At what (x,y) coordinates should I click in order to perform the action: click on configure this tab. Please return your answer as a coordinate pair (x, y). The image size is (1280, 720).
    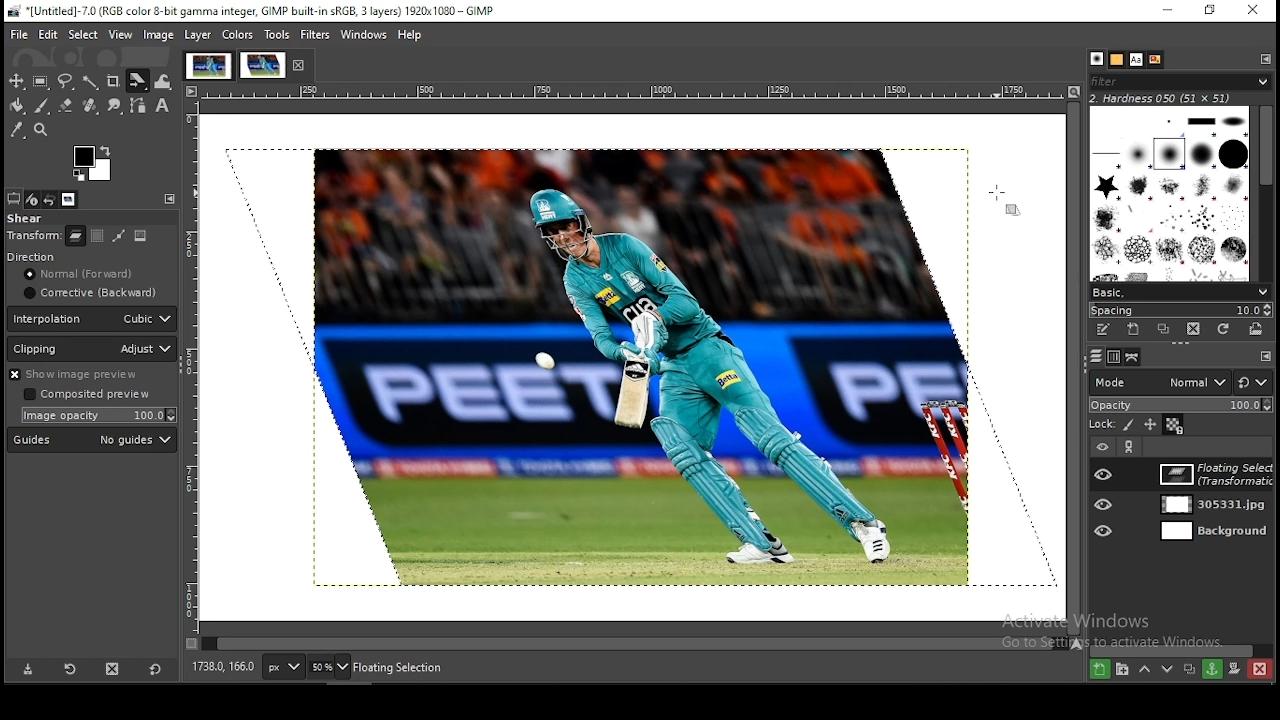
    Looking at the image, I should click on (1266, 359).